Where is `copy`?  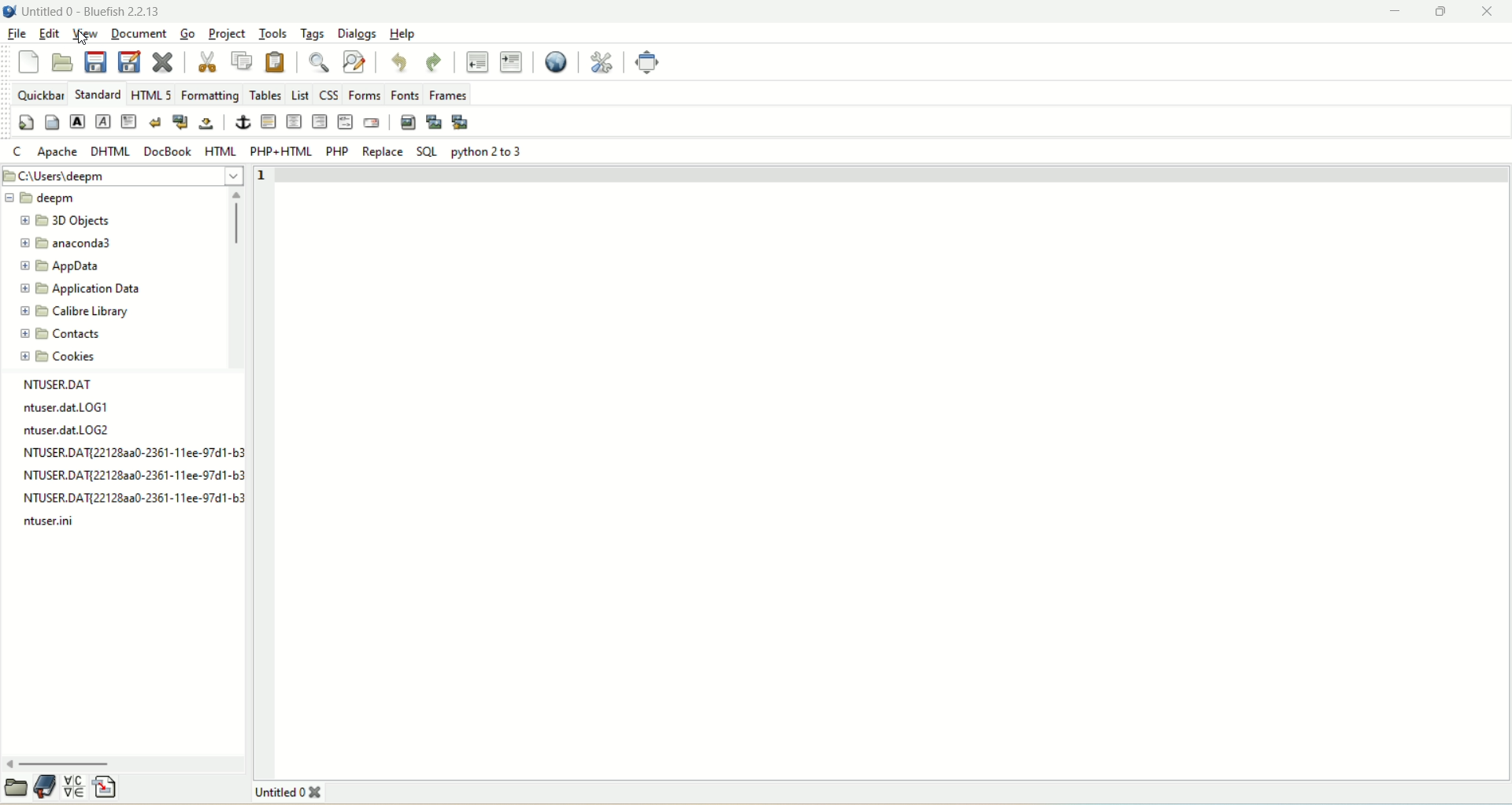
copy is located at coordinates (242, 60).